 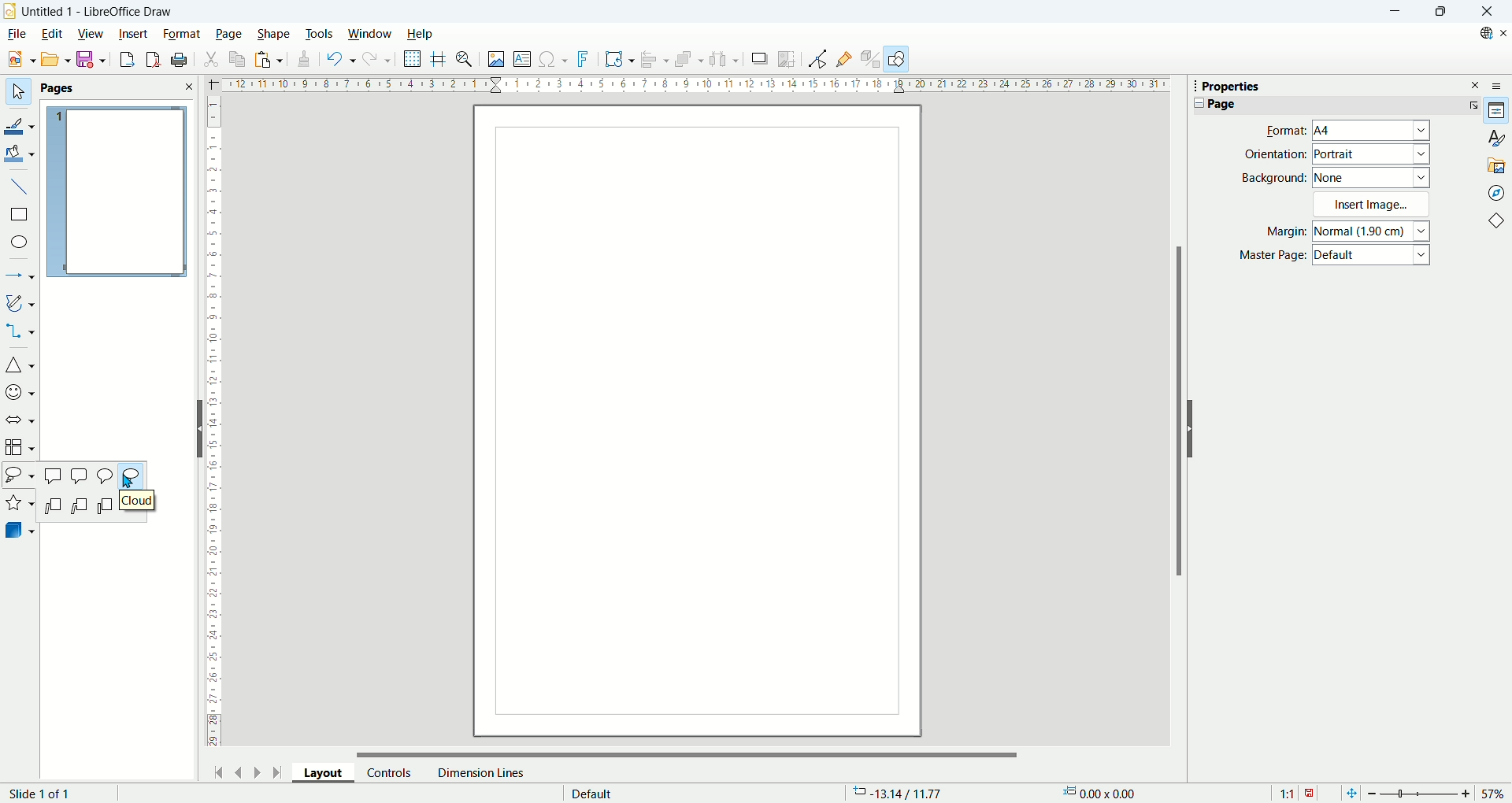 I want to click on Default, so click(x=1373, y=257).